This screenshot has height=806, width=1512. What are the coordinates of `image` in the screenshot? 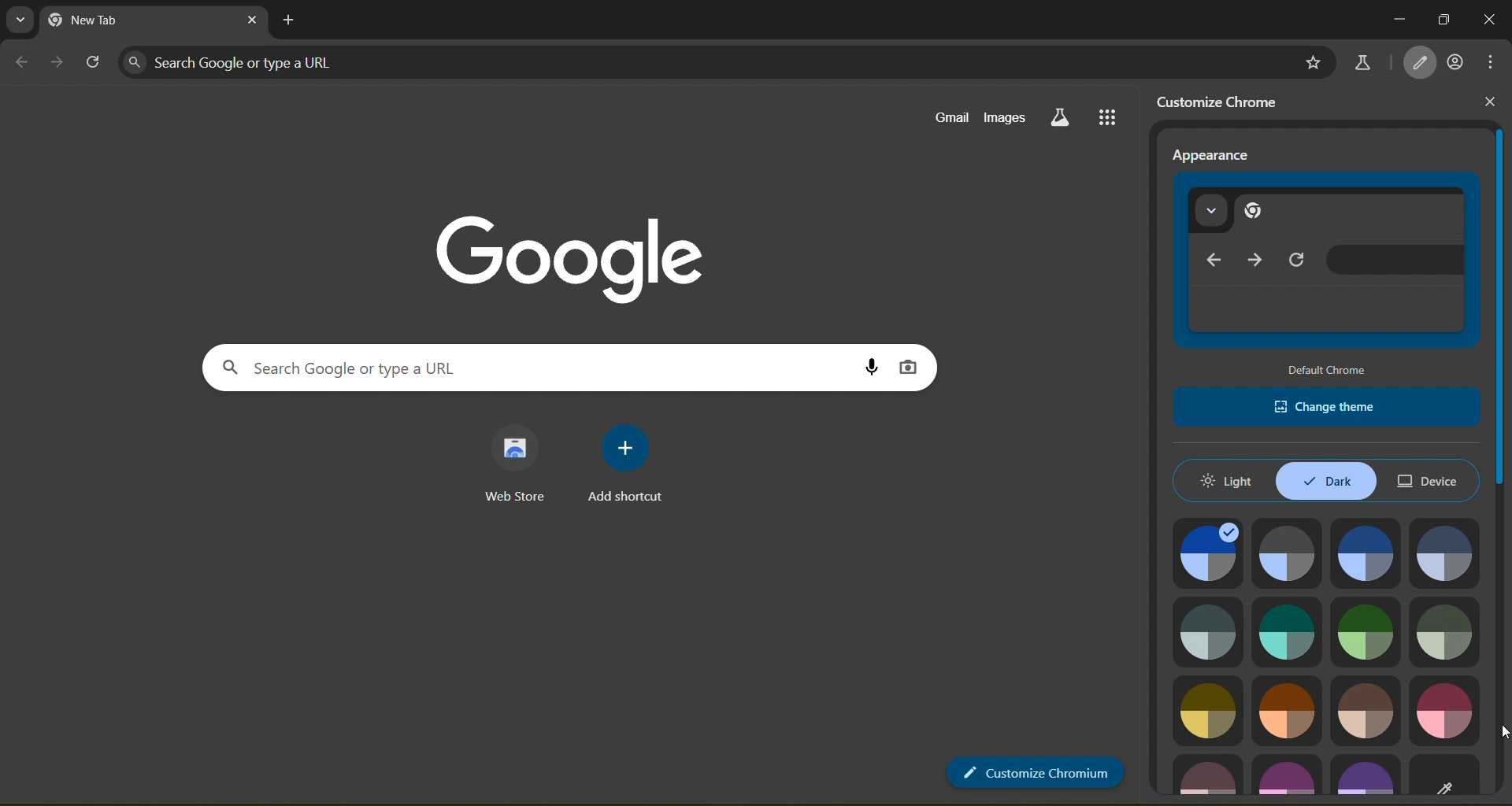 It's located at (1287, 555).